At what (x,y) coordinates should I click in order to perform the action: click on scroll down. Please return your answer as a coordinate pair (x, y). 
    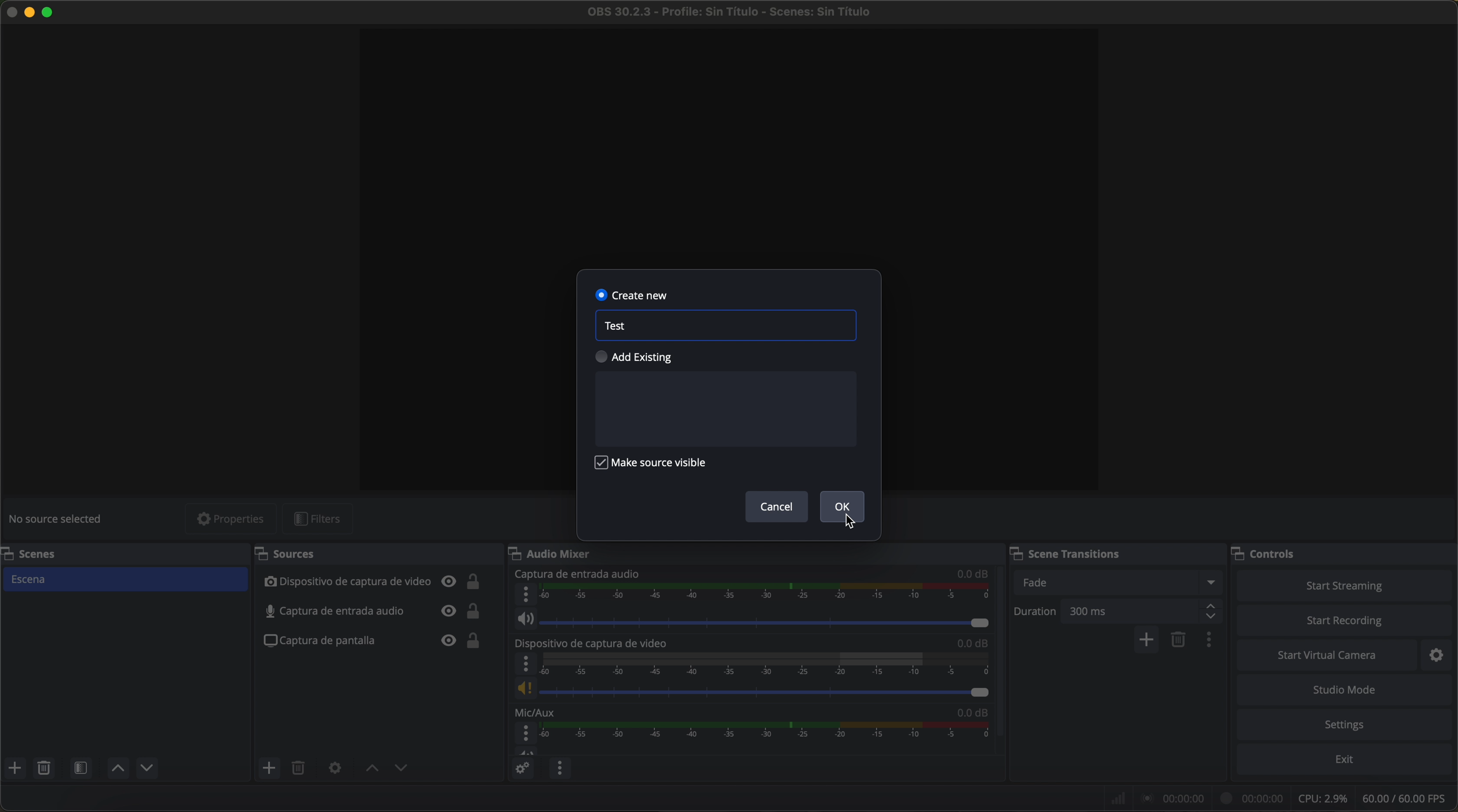
    Looking at the image, I should click on (1001, 640).